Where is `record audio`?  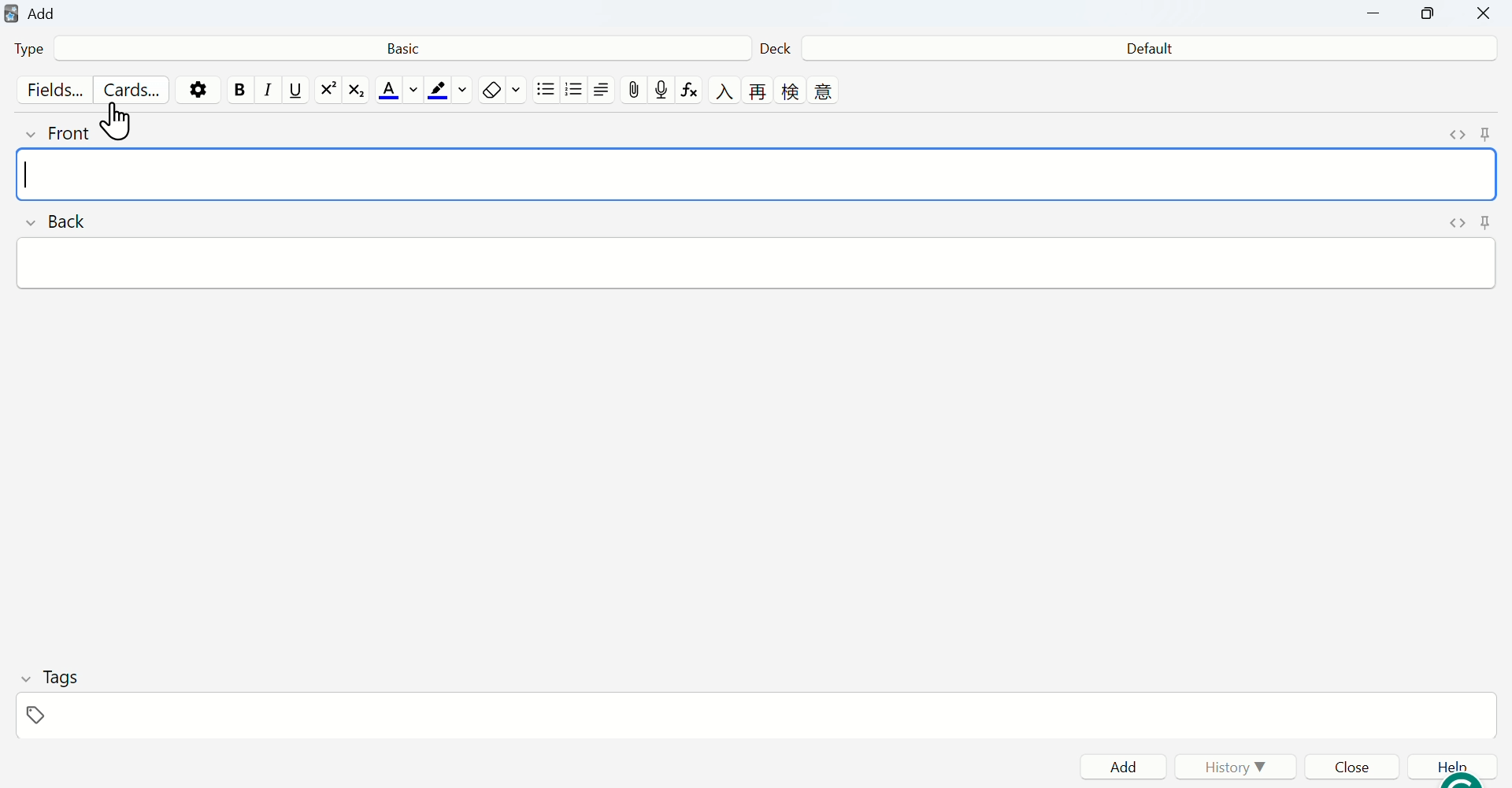
record audio is located at coordinates (661, 90).